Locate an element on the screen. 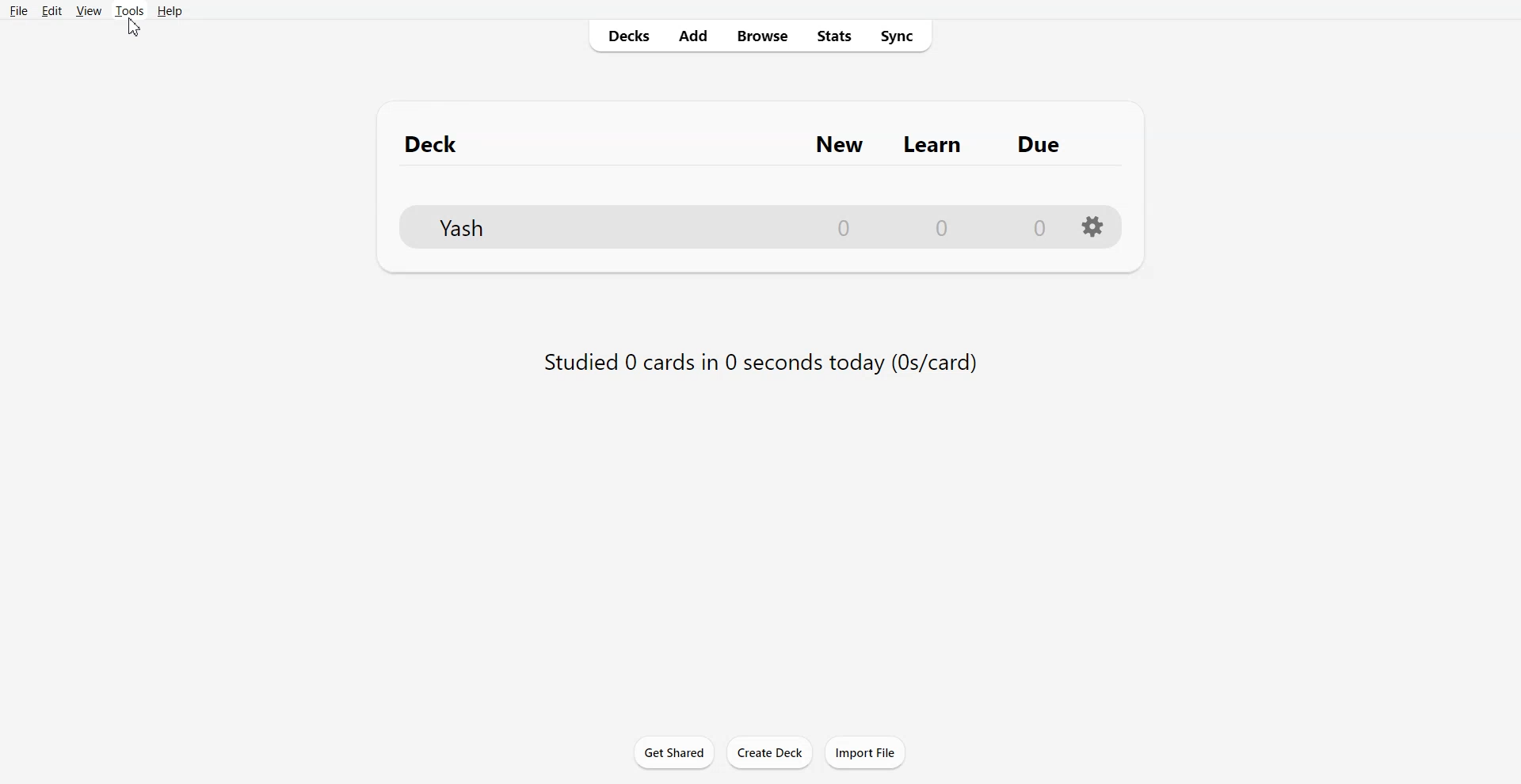 The image size is (1521, 784). Create Deck is located at coordinates (769, 752).